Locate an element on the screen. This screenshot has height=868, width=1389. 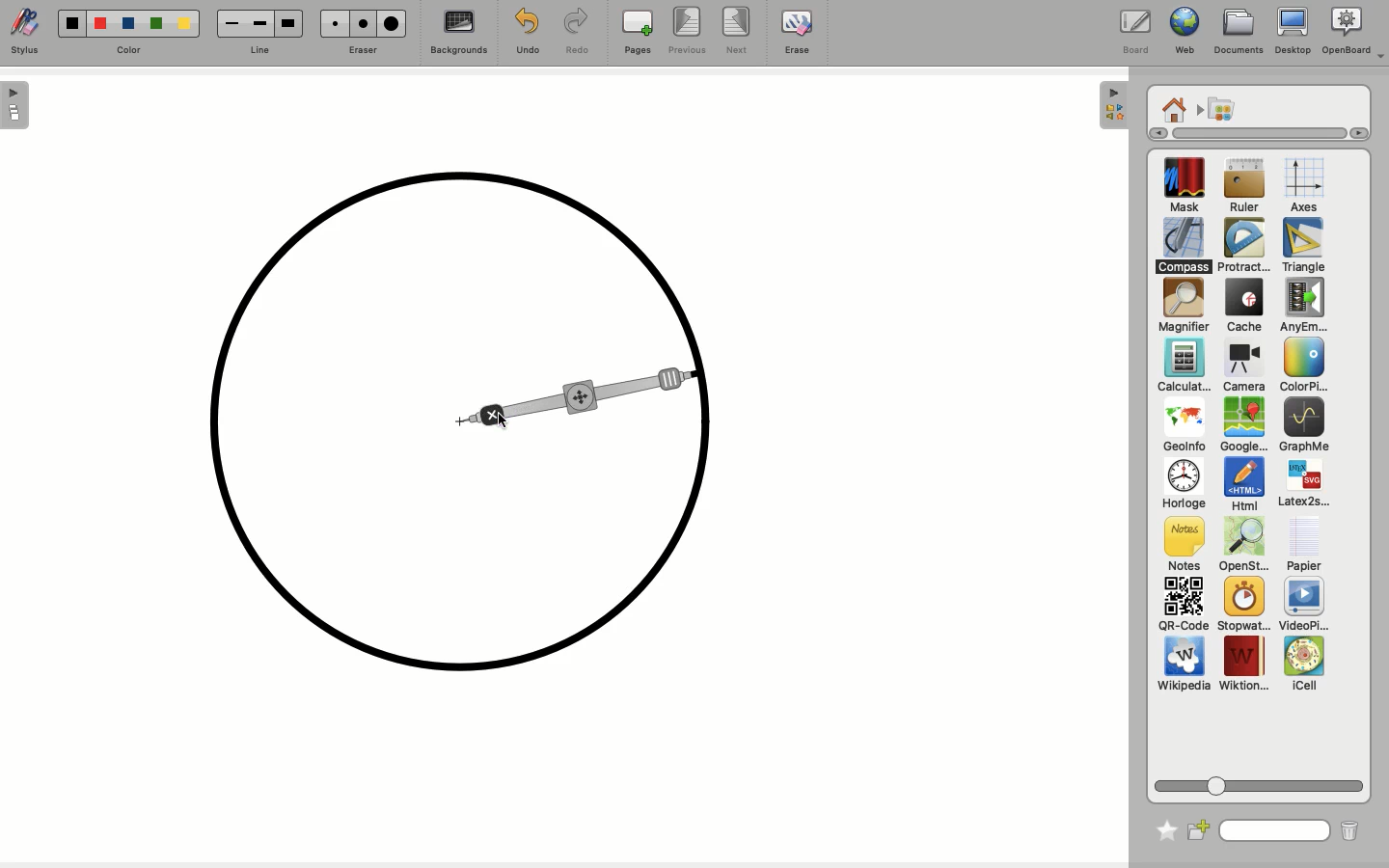
Protractor is located at coordinates (1246, 246).